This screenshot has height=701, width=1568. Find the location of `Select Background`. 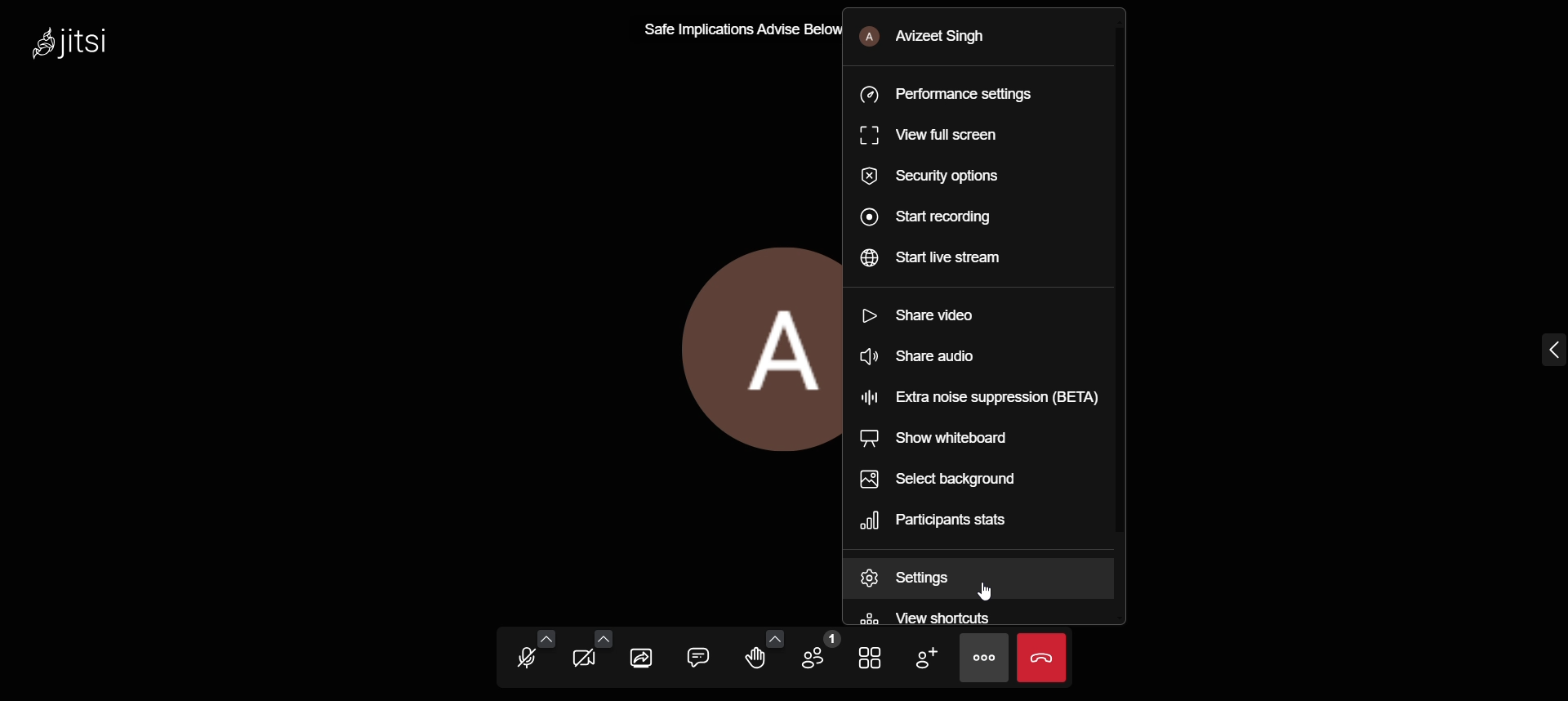

Select Background is located at coordinates (959, 478).